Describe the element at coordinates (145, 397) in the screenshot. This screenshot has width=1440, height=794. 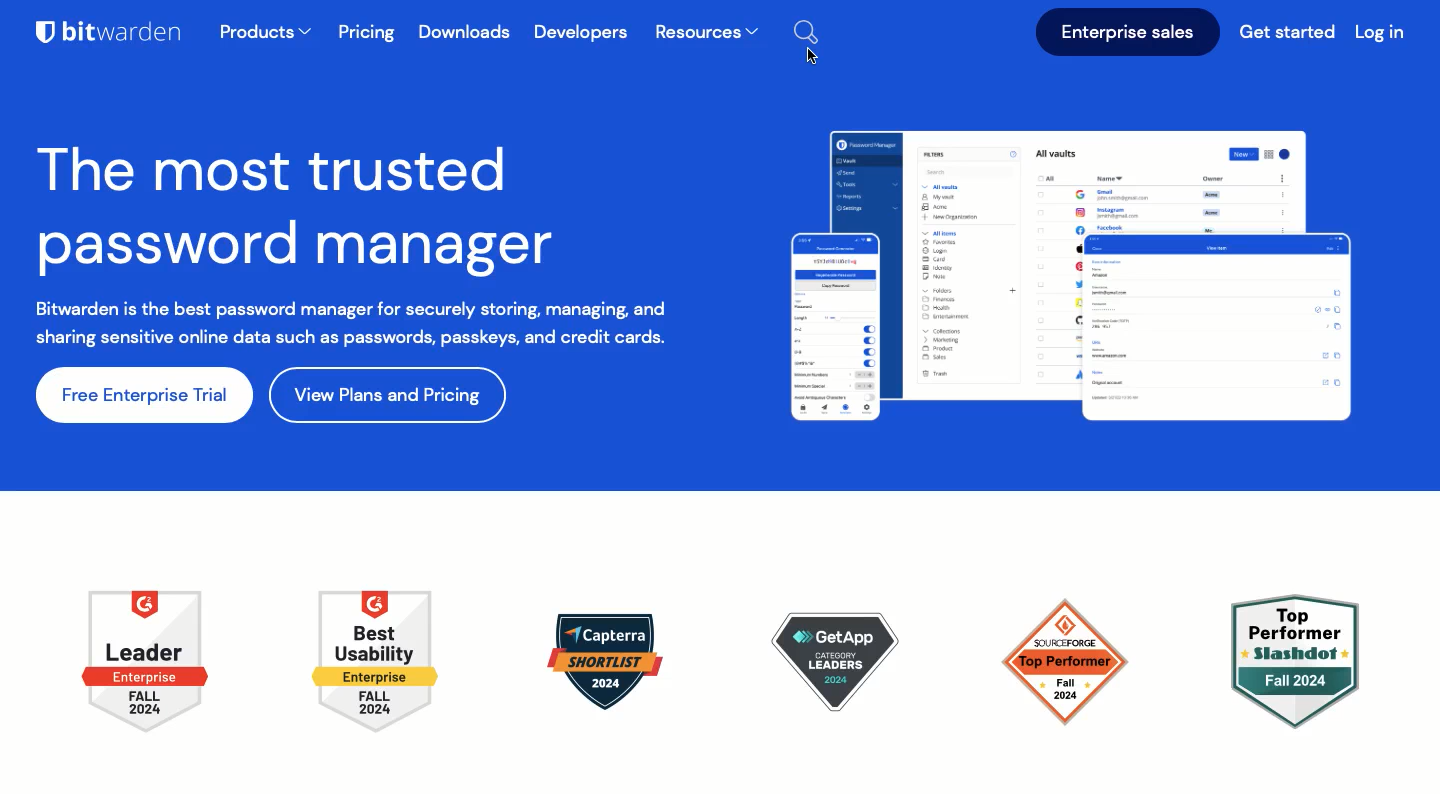
I see `free enterprise trial ` at that location.